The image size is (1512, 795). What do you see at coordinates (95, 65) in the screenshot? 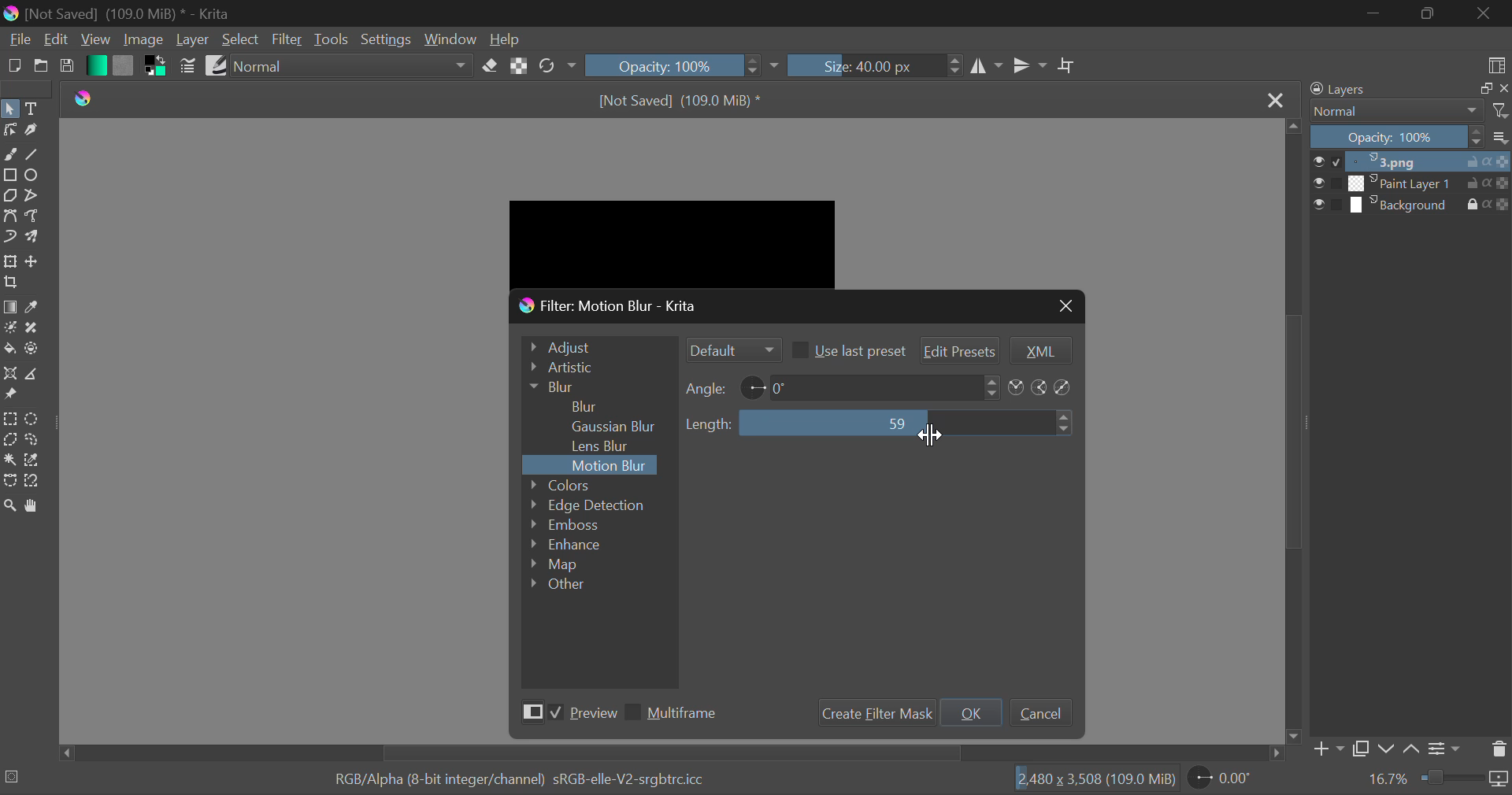
I see `Gradient` at bounding box center [95, 65].